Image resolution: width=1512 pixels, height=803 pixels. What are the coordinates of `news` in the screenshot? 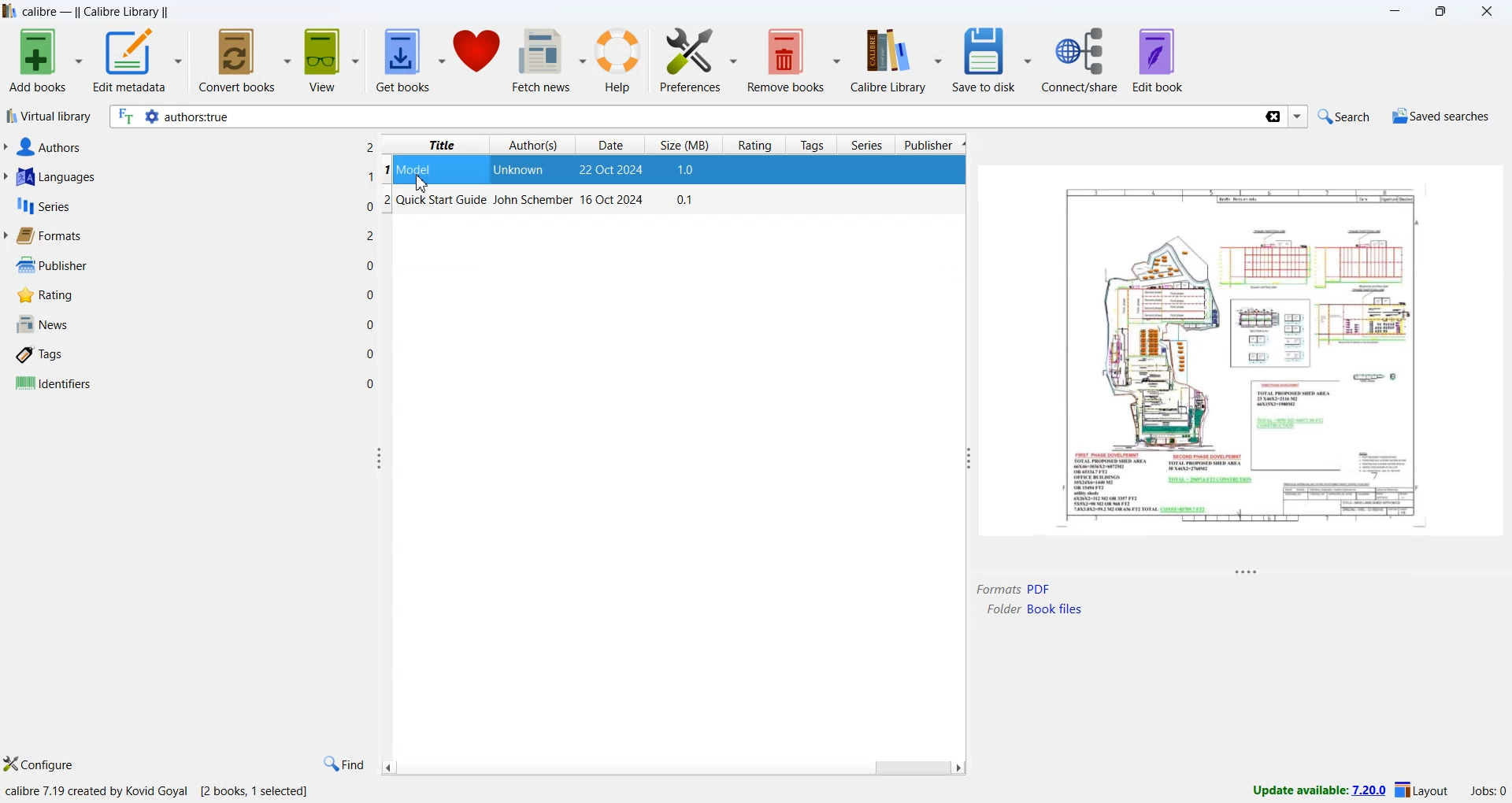 It's located at (41, 325).